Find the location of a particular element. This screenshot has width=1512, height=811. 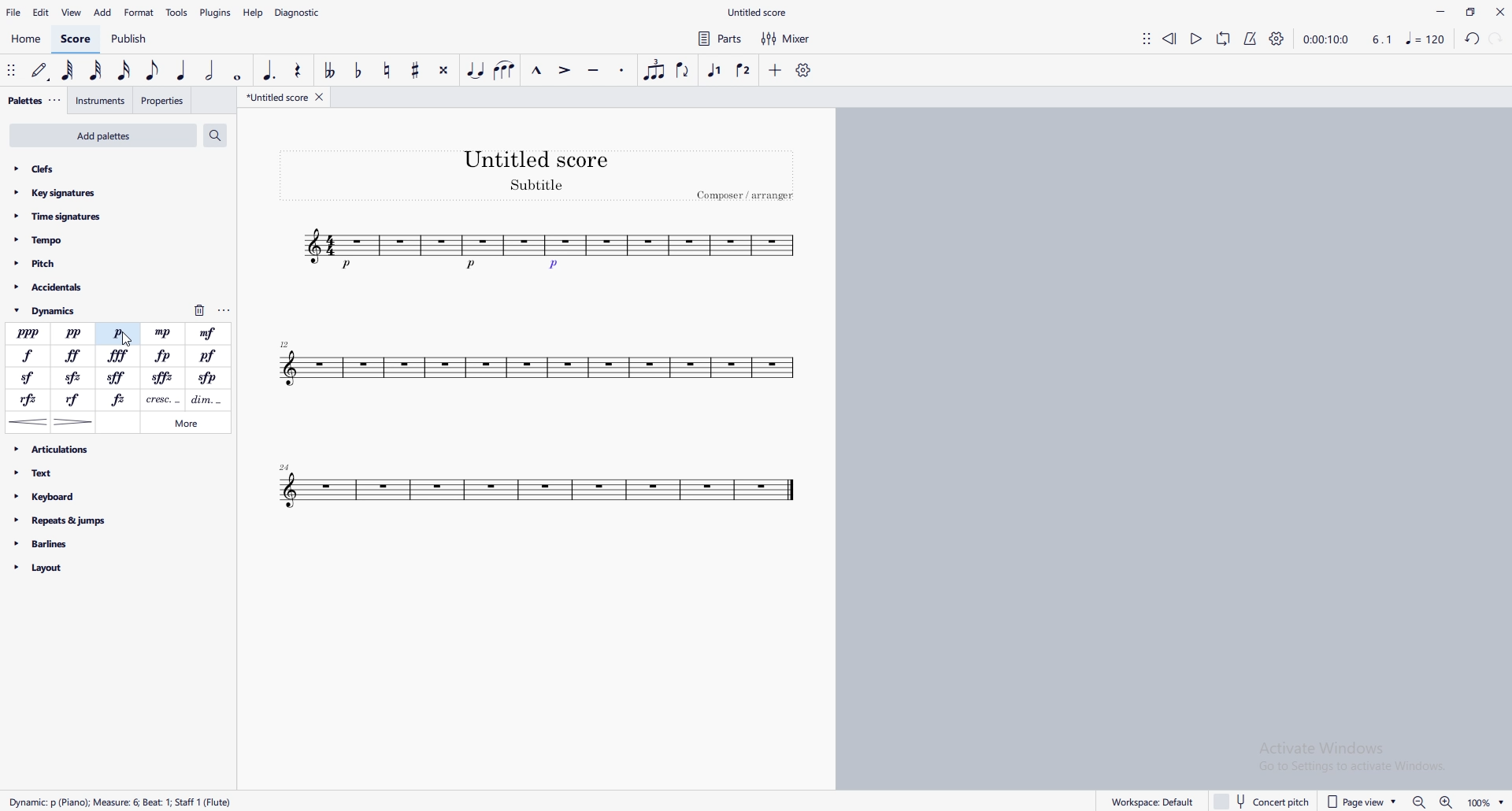

publish is located at coordinates (128, 39).